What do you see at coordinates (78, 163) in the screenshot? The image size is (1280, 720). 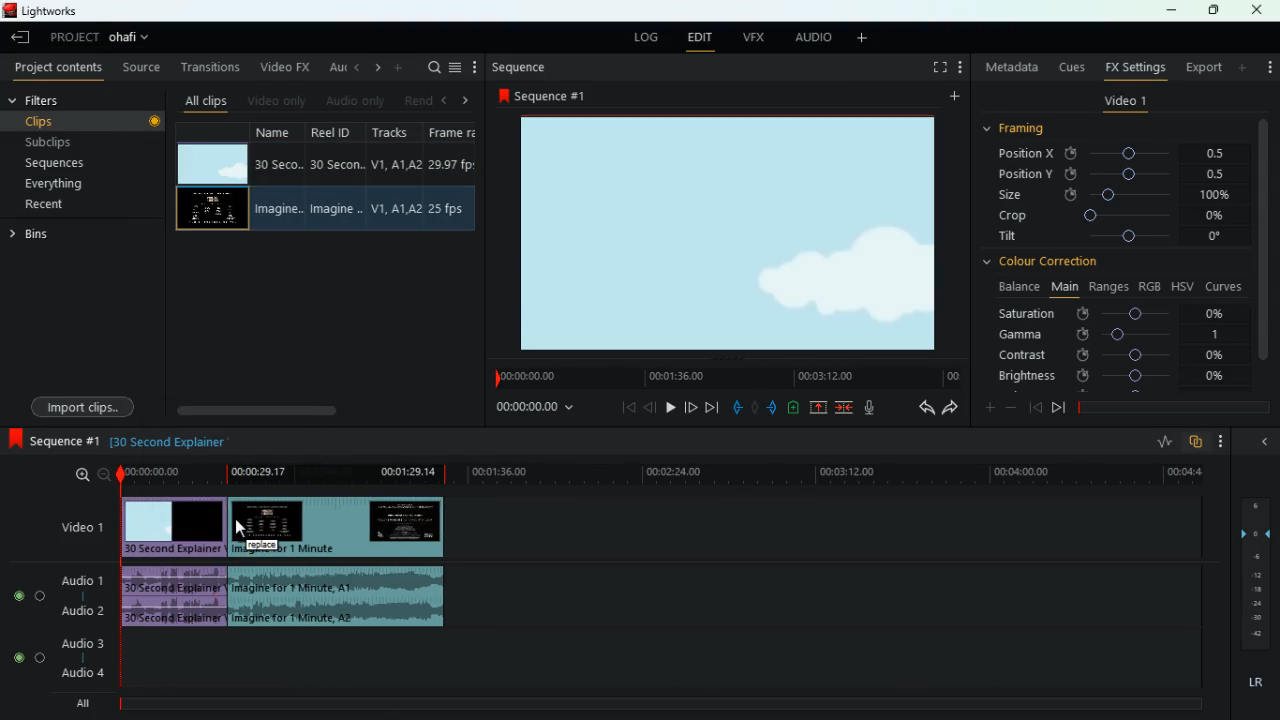 I see `sequences` at bounding box center [78, 163].